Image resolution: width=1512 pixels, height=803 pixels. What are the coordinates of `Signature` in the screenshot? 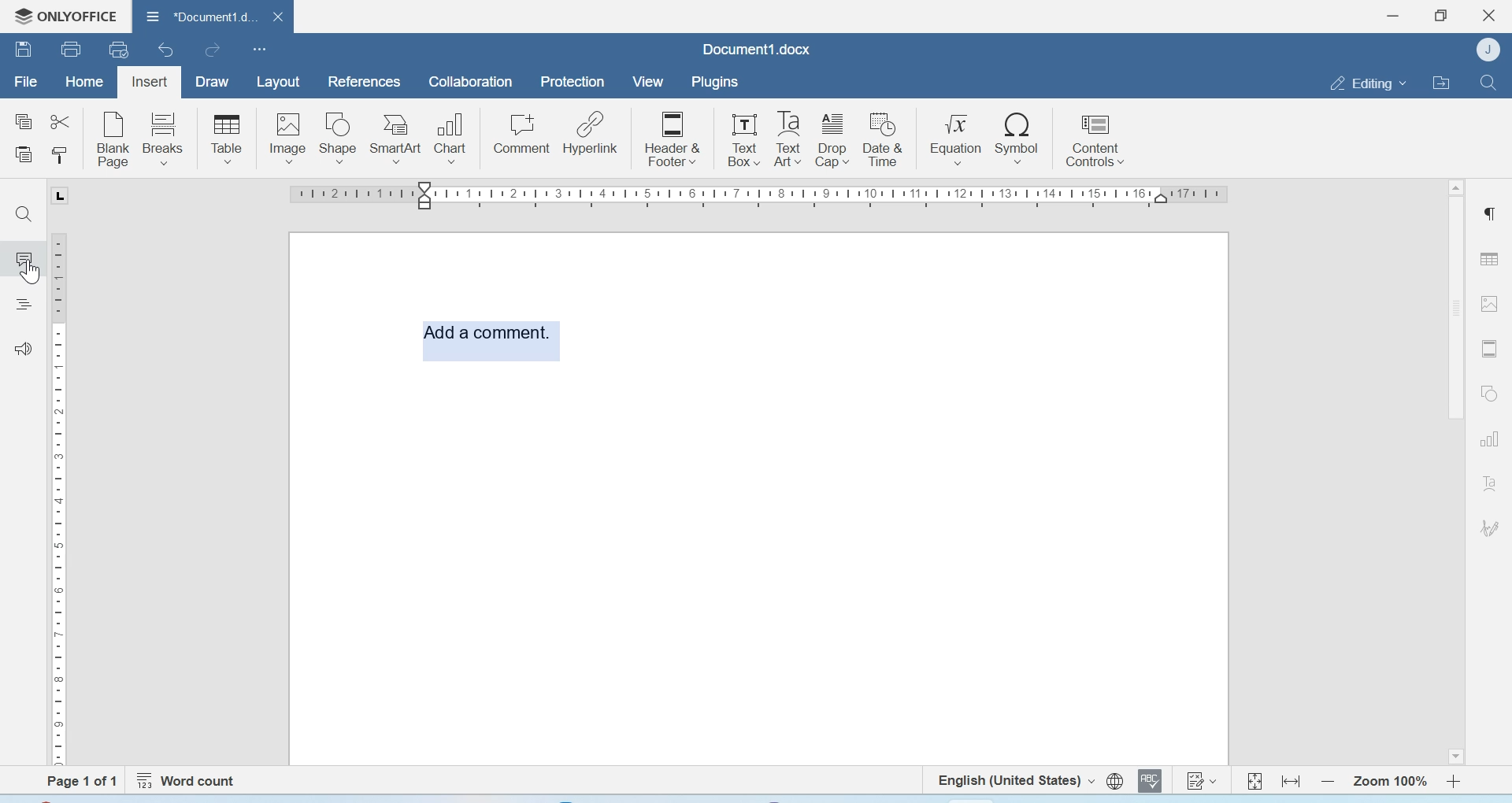 It's located at (1491, 528).